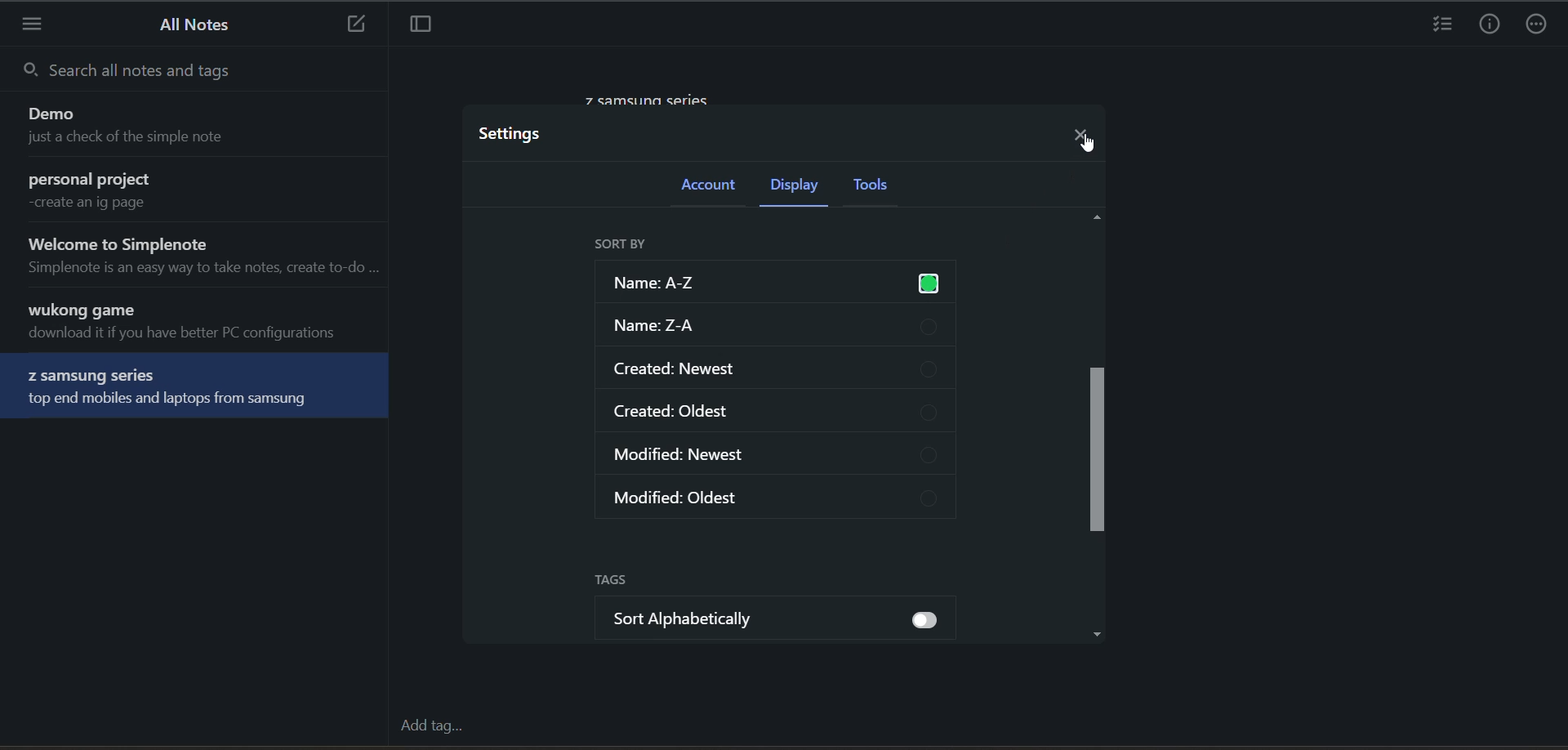 Image resolution: width=1568 pixels, height=750 pixels. What do you see at coordinates (431, 726) in the screenshot?
I see `add tag...` at bounding box center [431, 726].